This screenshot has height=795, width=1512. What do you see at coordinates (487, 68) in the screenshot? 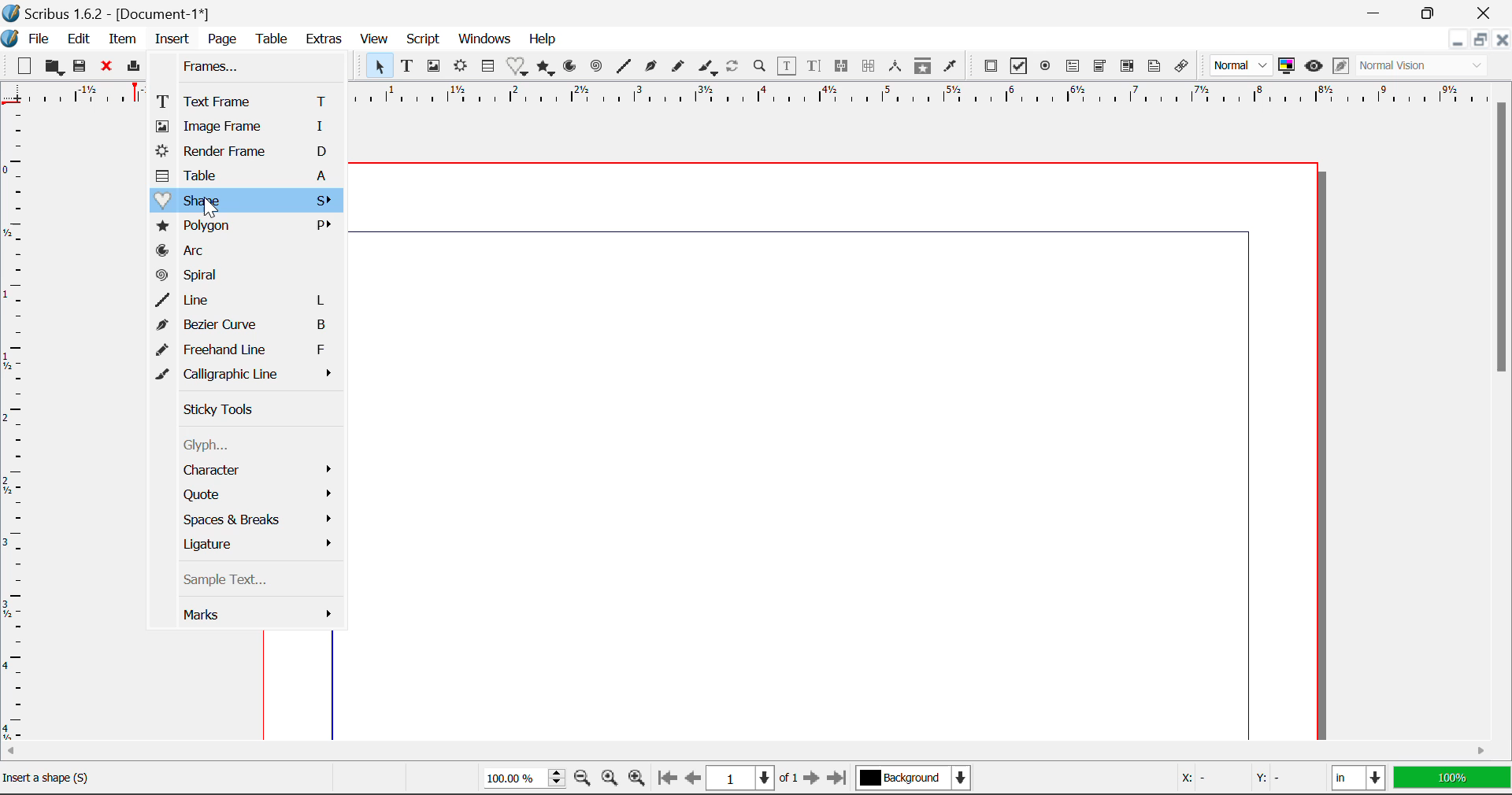
I see `Insert Cells` at bounding box center [487, 68].